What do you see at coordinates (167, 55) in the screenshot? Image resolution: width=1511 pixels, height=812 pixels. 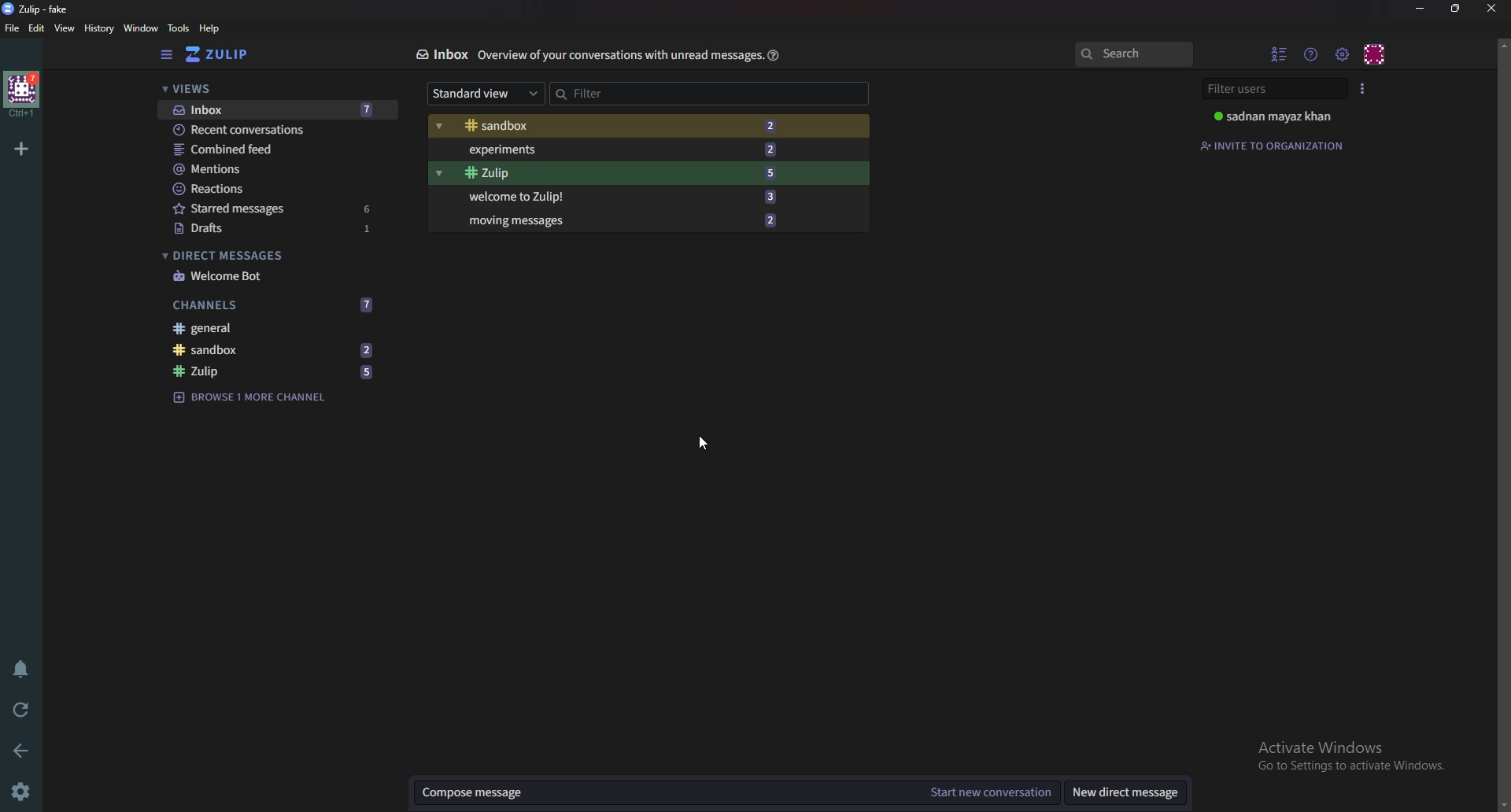 I see `side bar` at bounding box center [167, 55].